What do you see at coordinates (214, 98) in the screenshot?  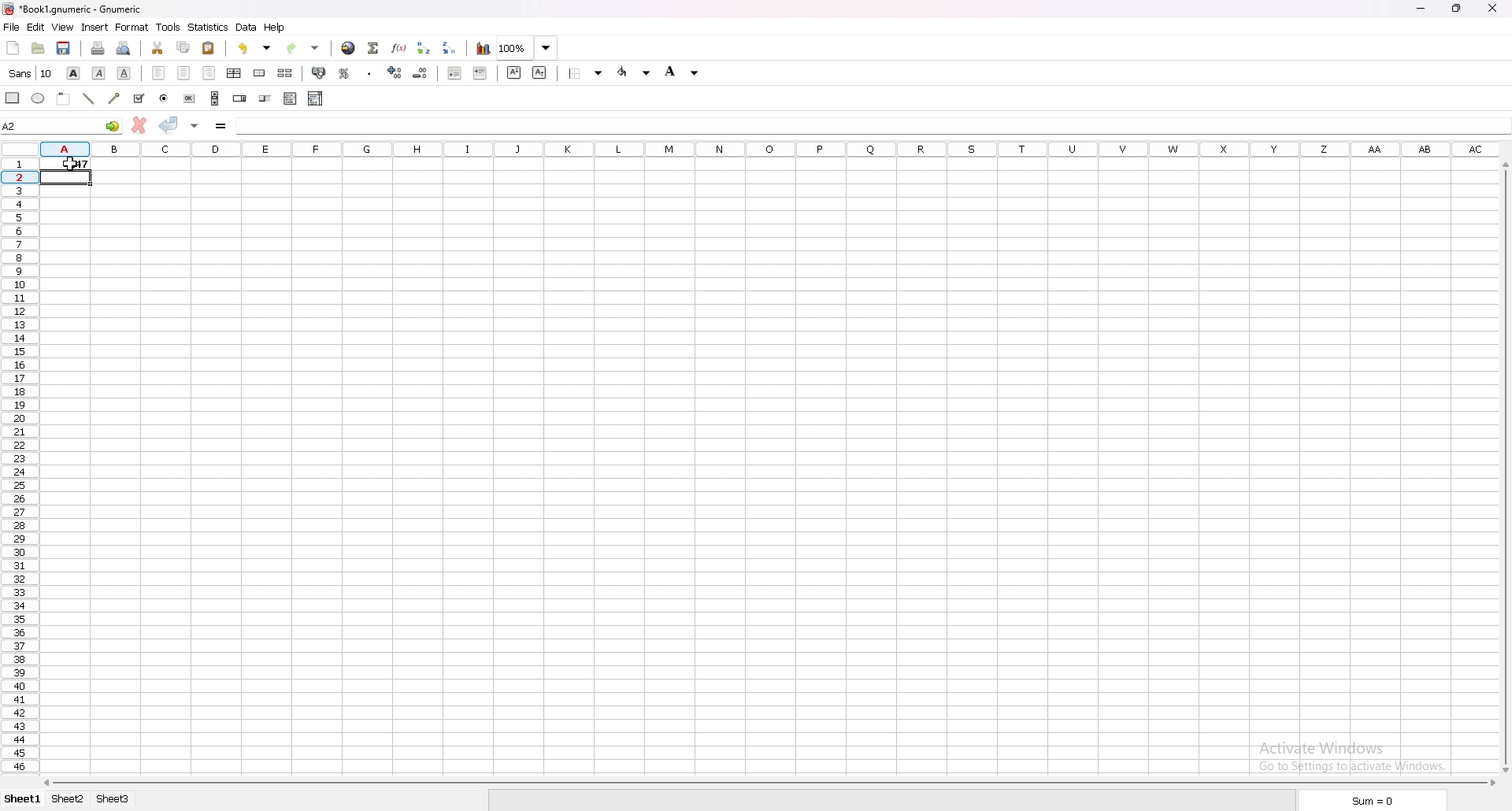 I see `scroll bar` at bounding box center [214, 98].